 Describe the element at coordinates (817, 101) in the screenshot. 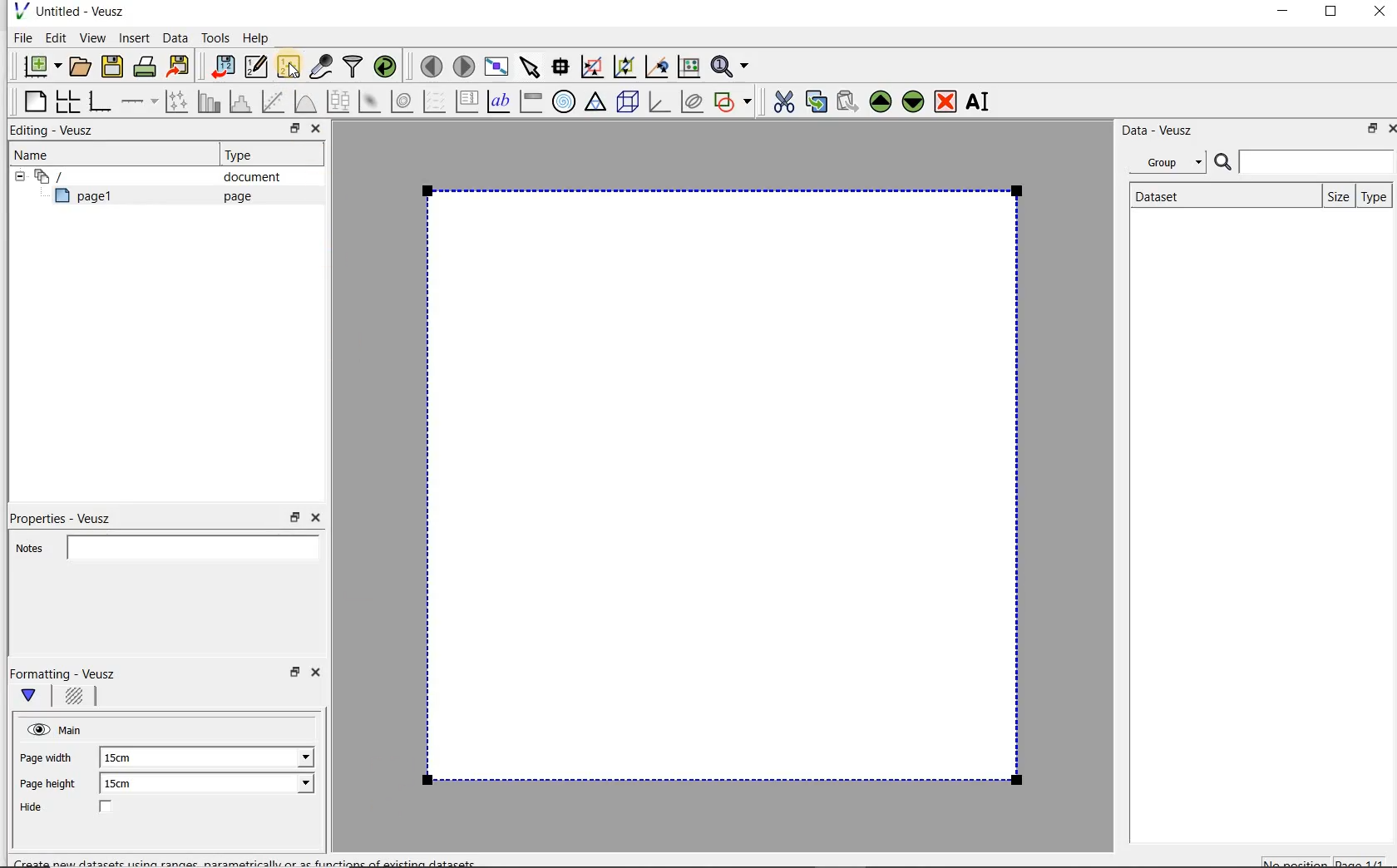

I see `copy the selected widget` at that location.